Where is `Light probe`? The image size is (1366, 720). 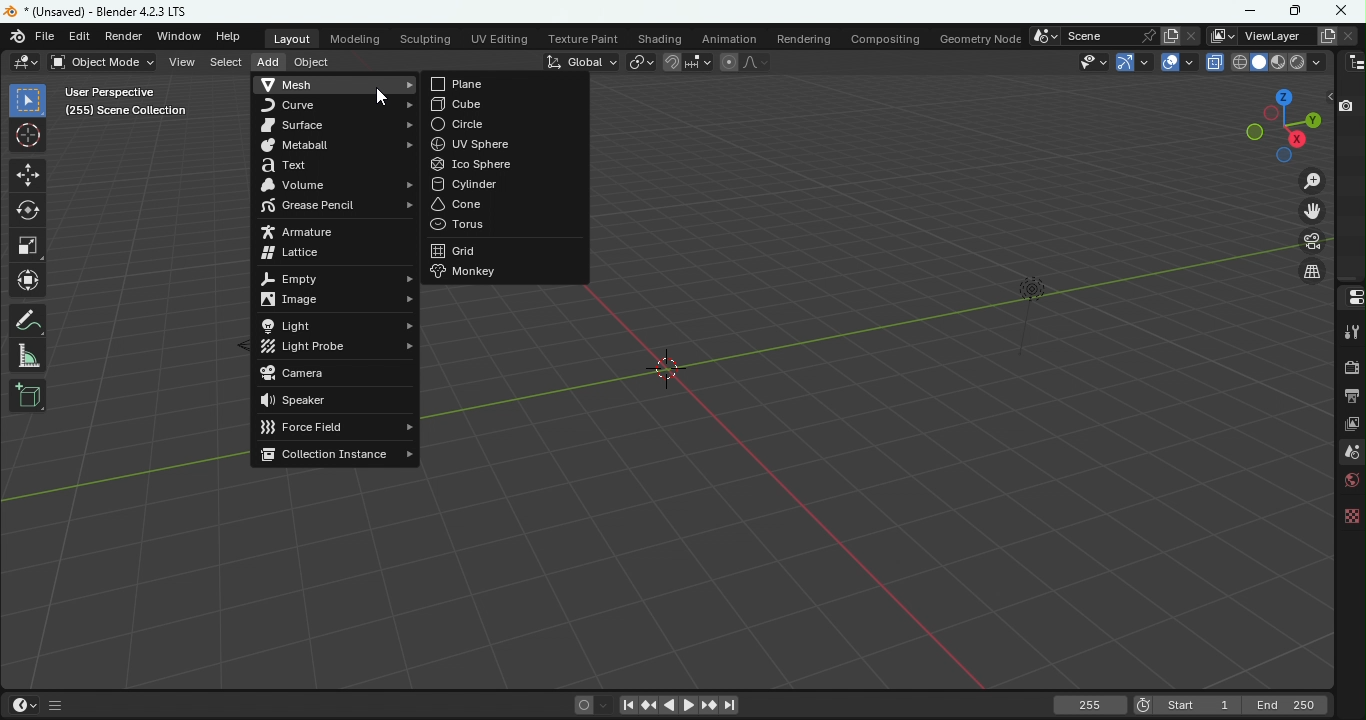
Light probe is located at coordinates (338, 348).